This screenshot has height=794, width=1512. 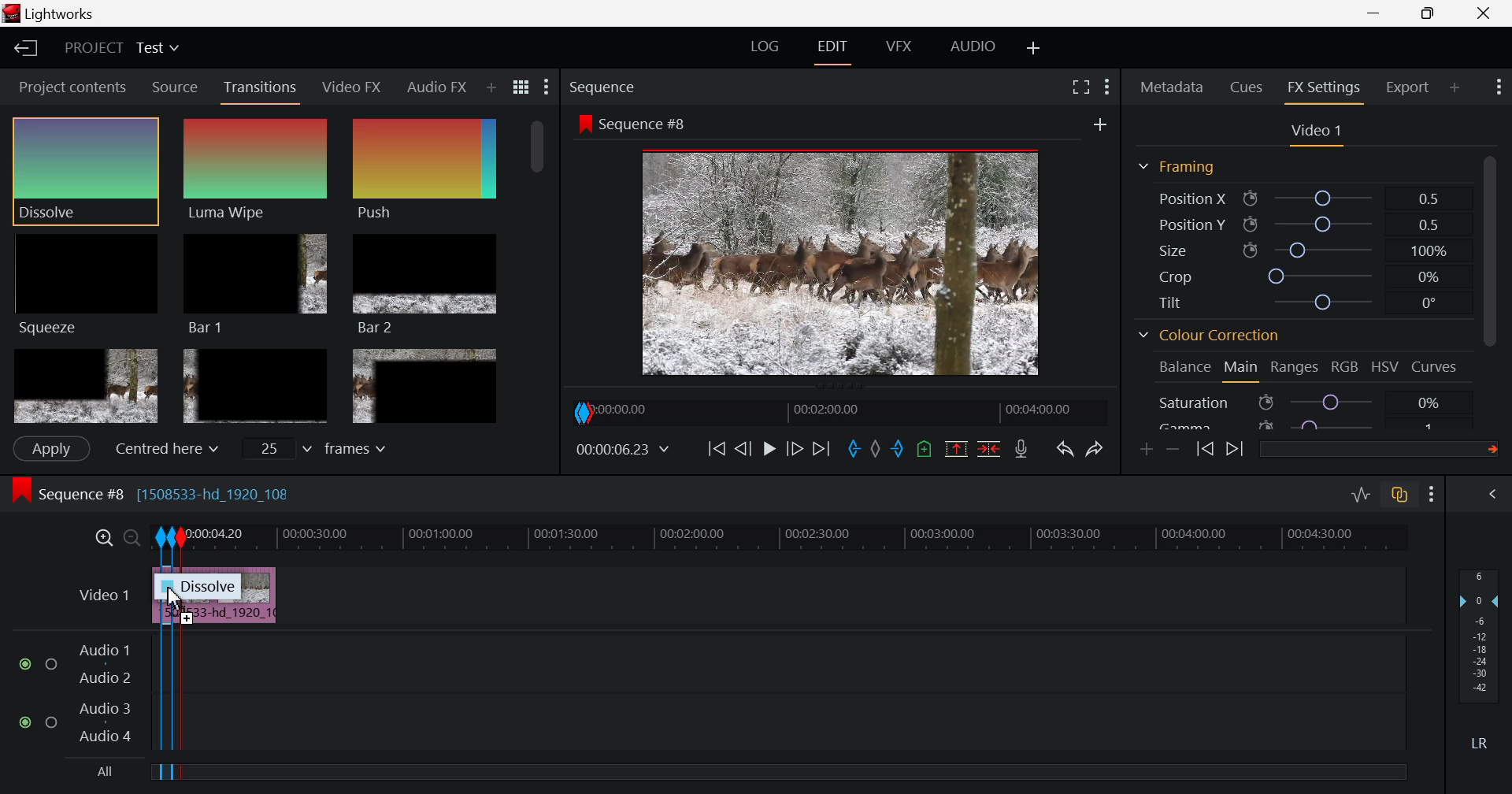 I want to click on Add panel, so click(x=1455, y=90).